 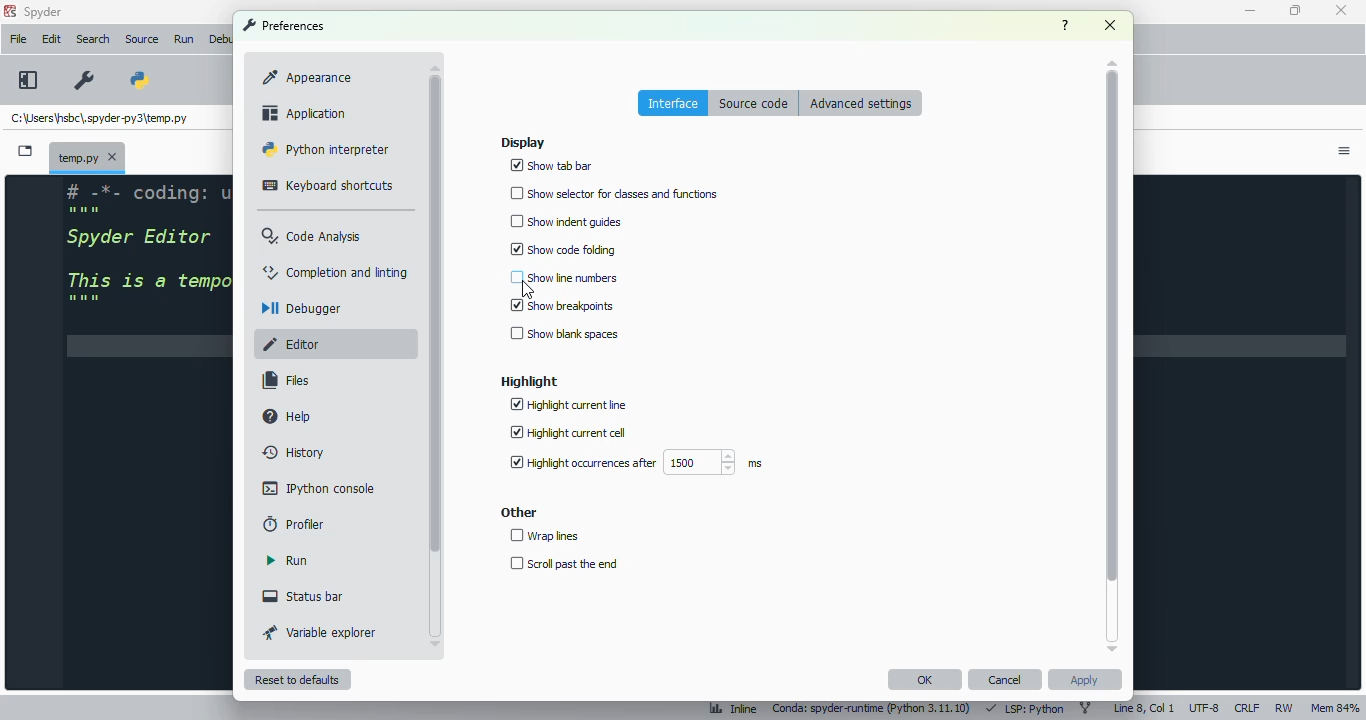 What do you see at coordinates (1205, 708) in the screenshot?
I see `UTF-8` at bounding box center [1205, 708].